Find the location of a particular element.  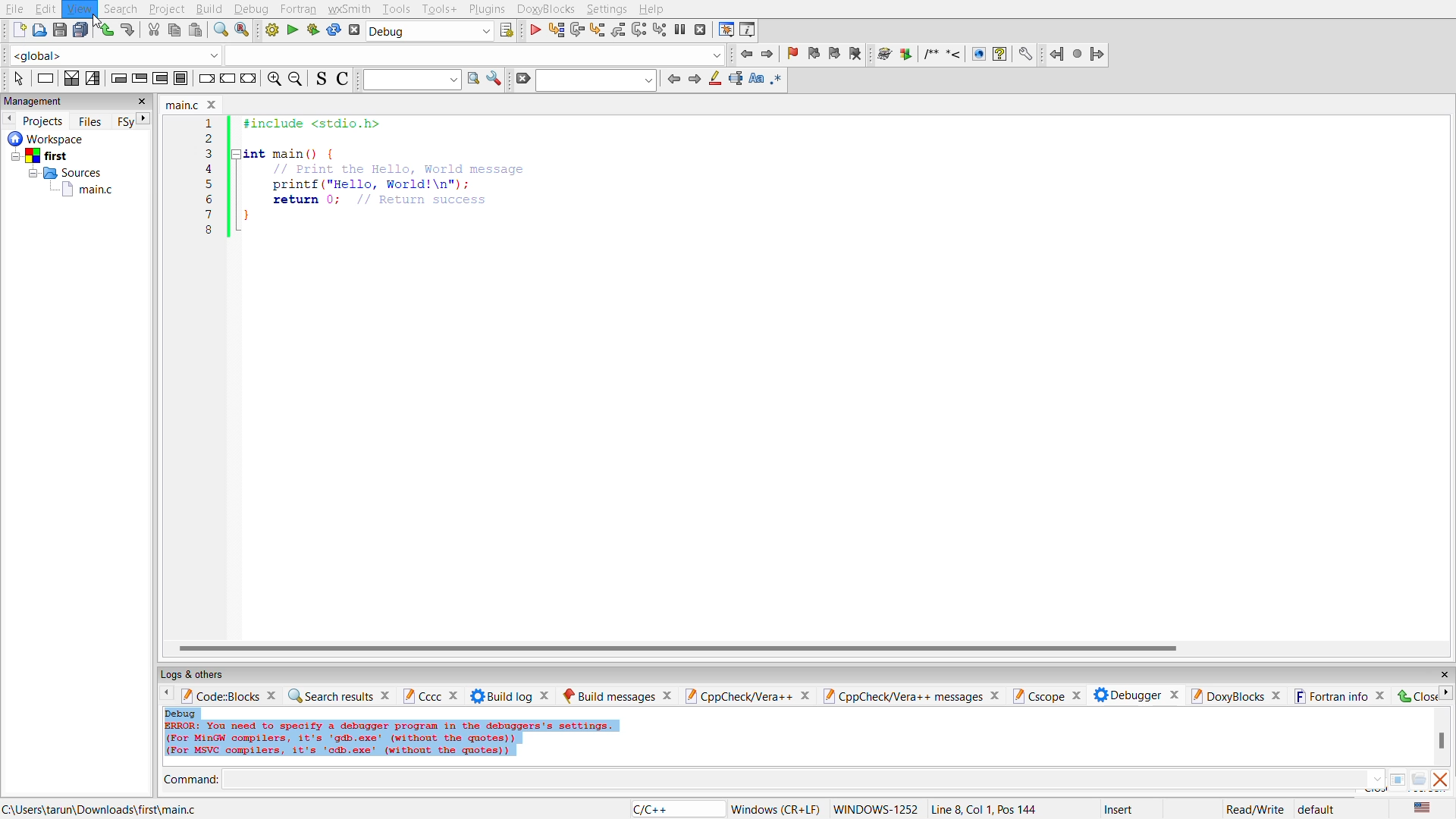

cscope is located at coordinates (1046, 695).